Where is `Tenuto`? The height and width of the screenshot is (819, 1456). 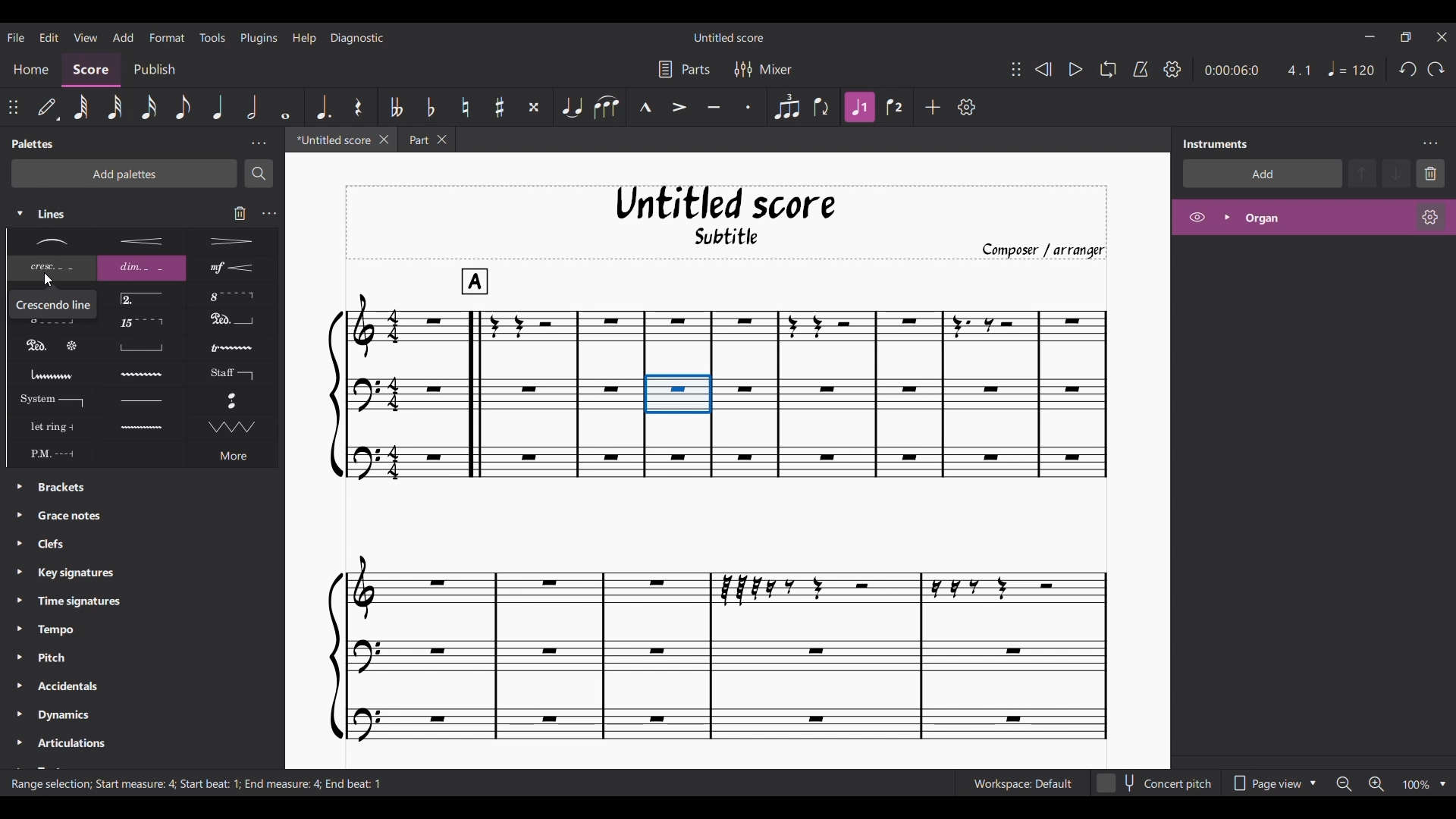 Tenuto is located at coordinates (714, 108).